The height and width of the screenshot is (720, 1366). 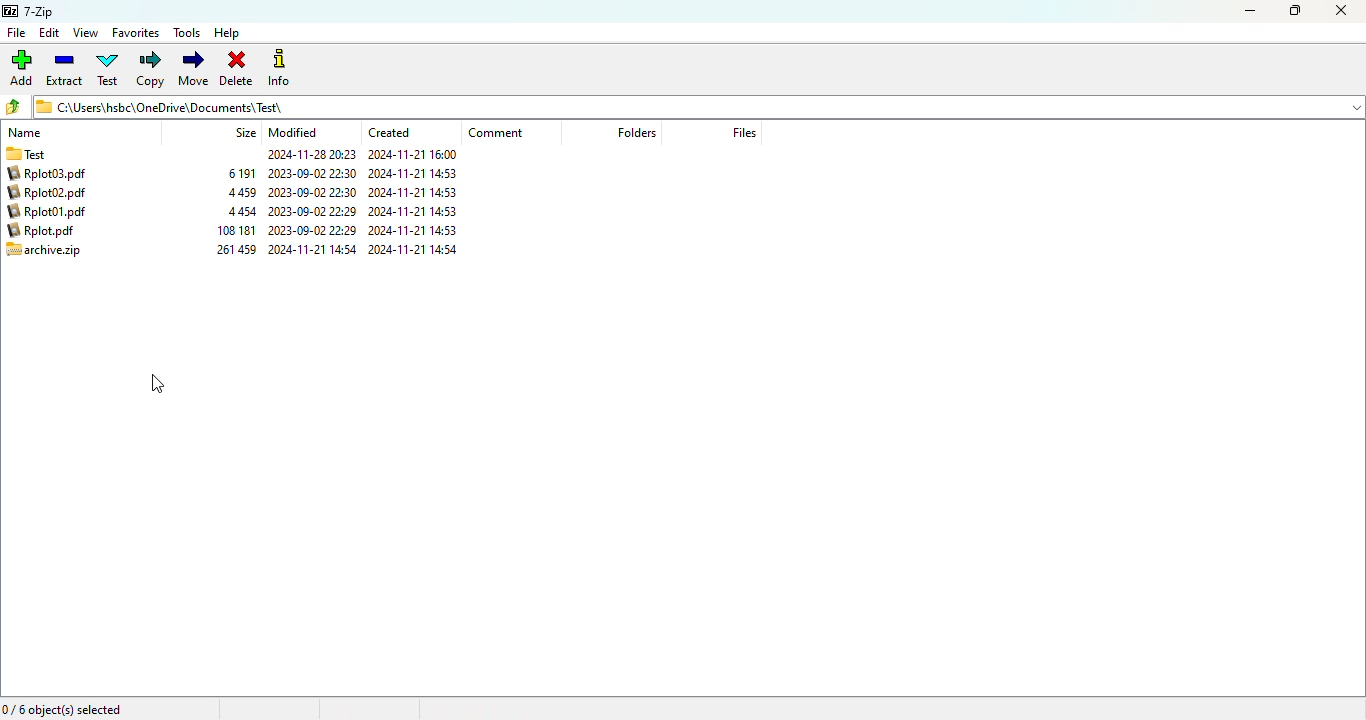 What do you see at coordinates (31, 12) in the screenshot?
I see `7-Zip` at bounding box center [31, 12].